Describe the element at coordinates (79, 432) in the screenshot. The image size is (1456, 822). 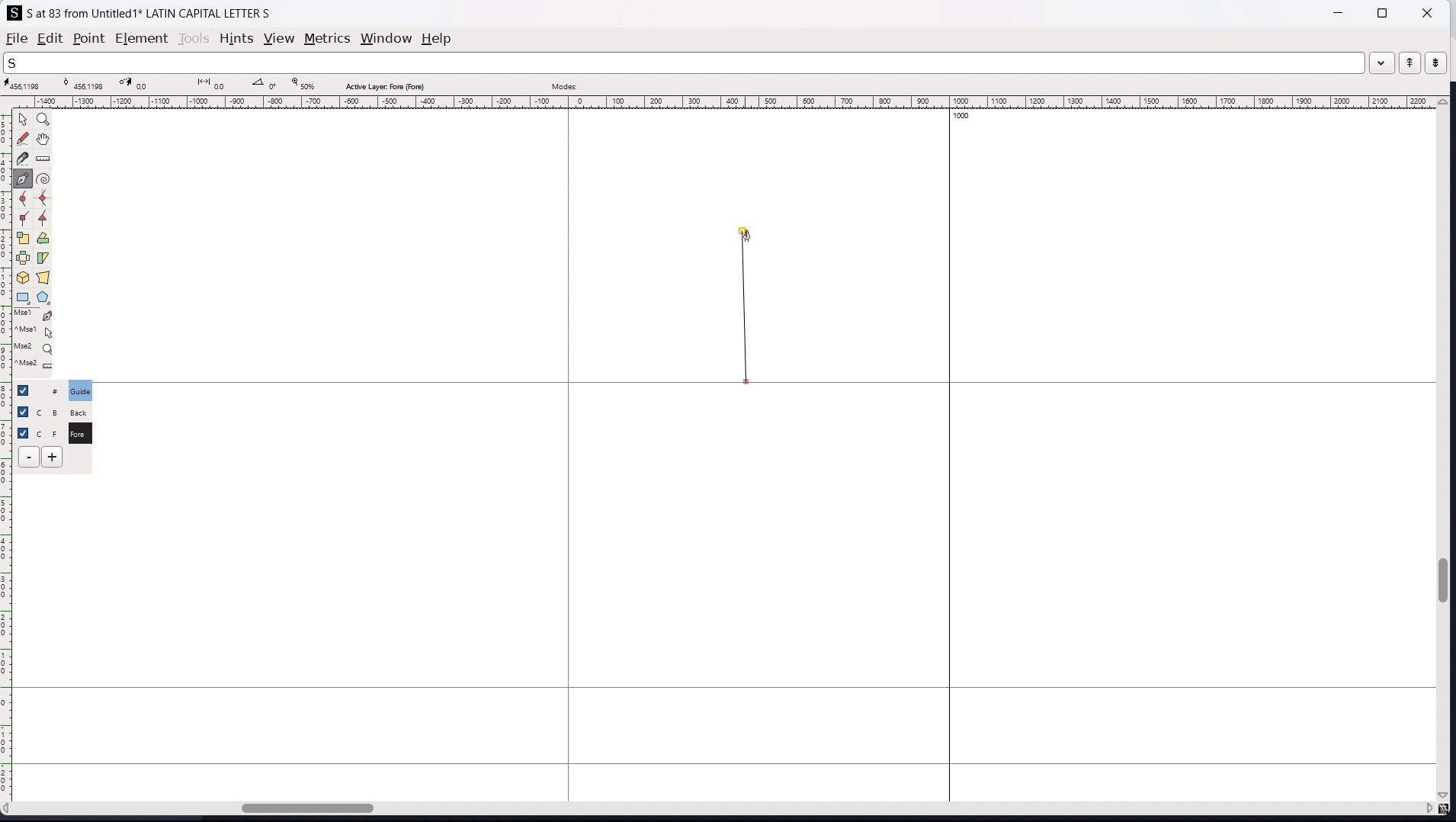
I see `C F Fore` at that location.